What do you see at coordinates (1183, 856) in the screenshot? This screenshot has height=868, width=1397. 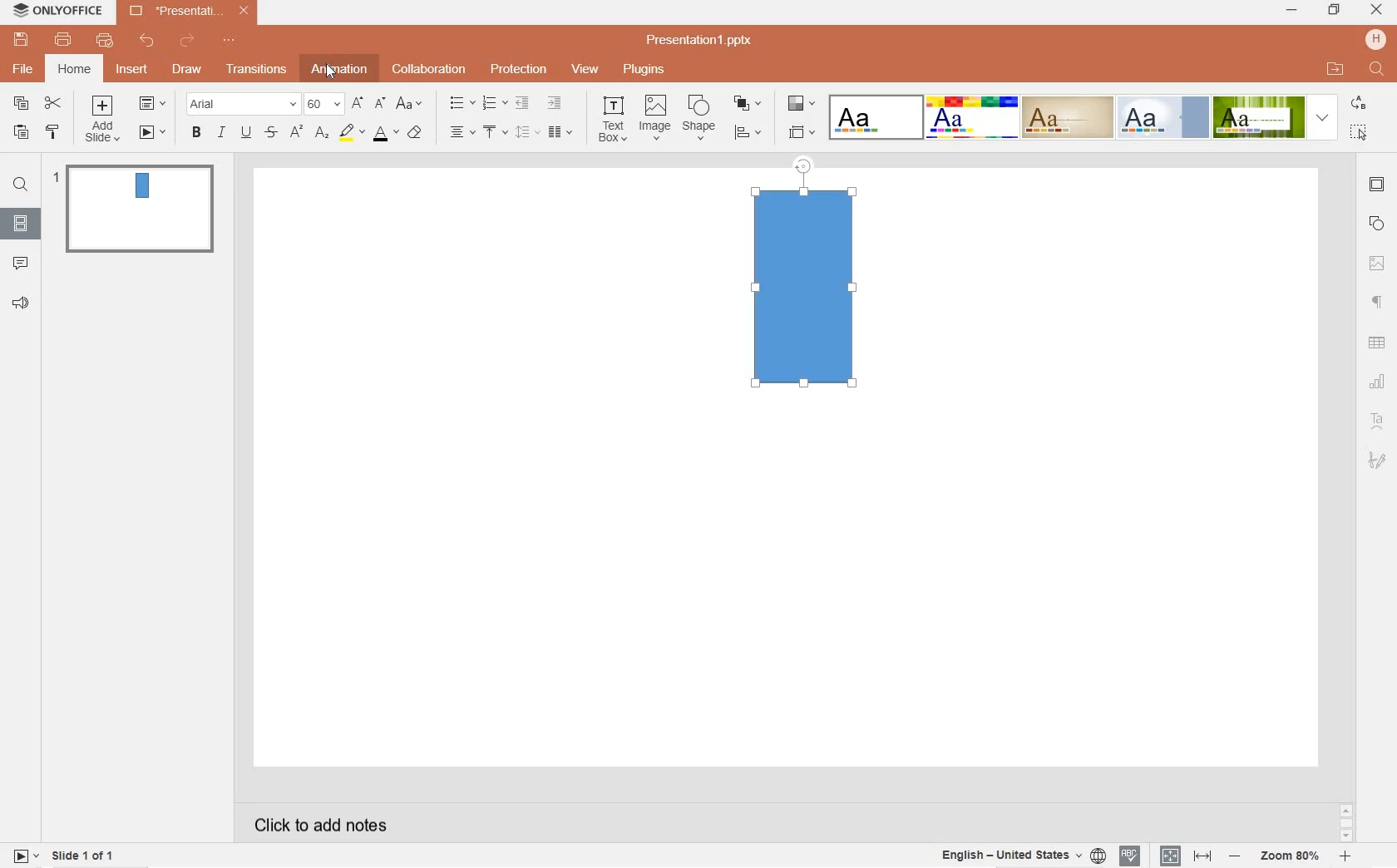 I see `set text or document language` at bounding box center [1183, 856].